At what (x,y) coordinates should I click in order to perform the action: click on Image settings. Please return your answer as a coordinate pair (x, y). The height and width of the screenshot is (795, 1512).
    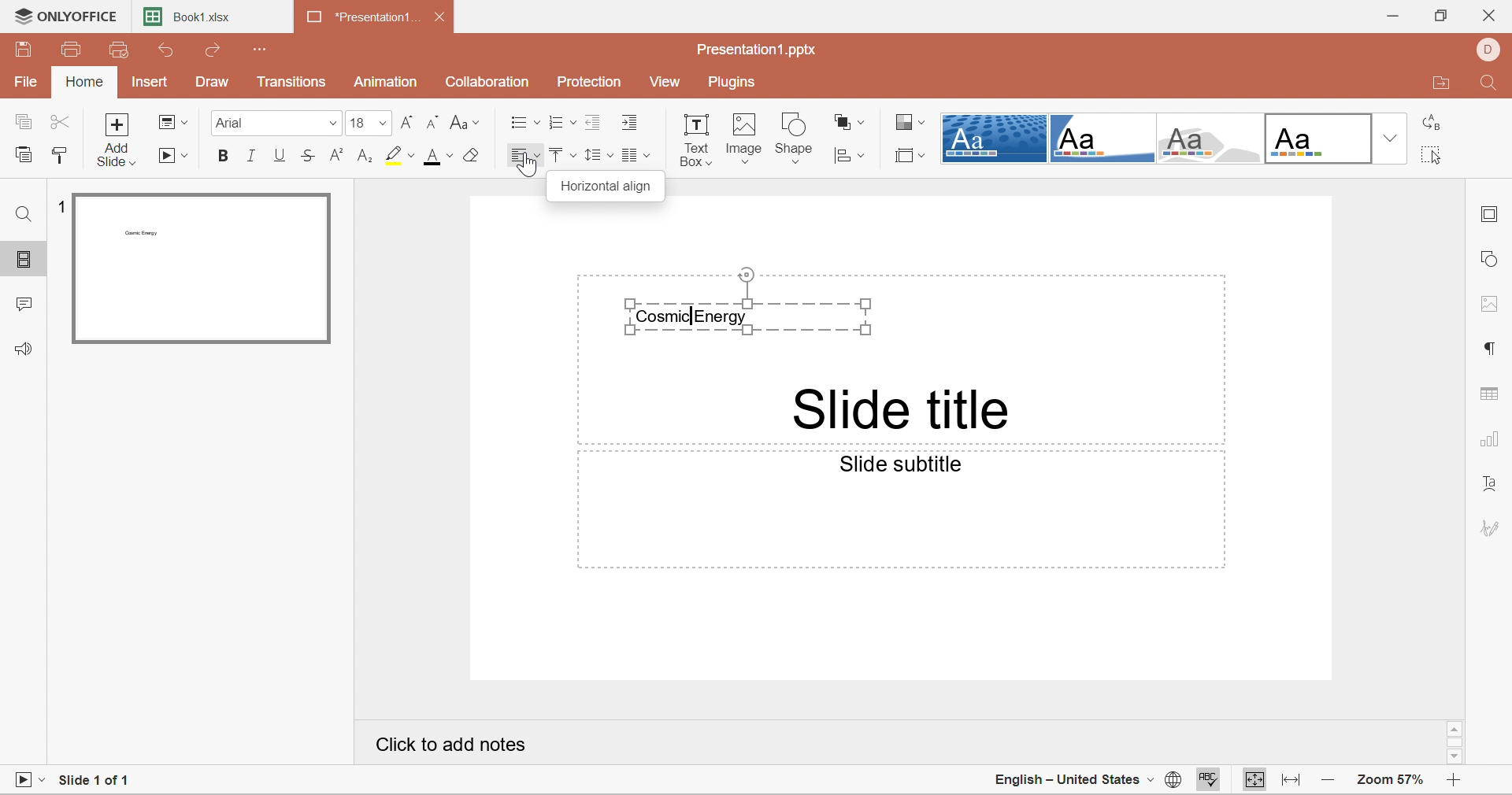
    Looking at the image, I should click on (1492, 305).